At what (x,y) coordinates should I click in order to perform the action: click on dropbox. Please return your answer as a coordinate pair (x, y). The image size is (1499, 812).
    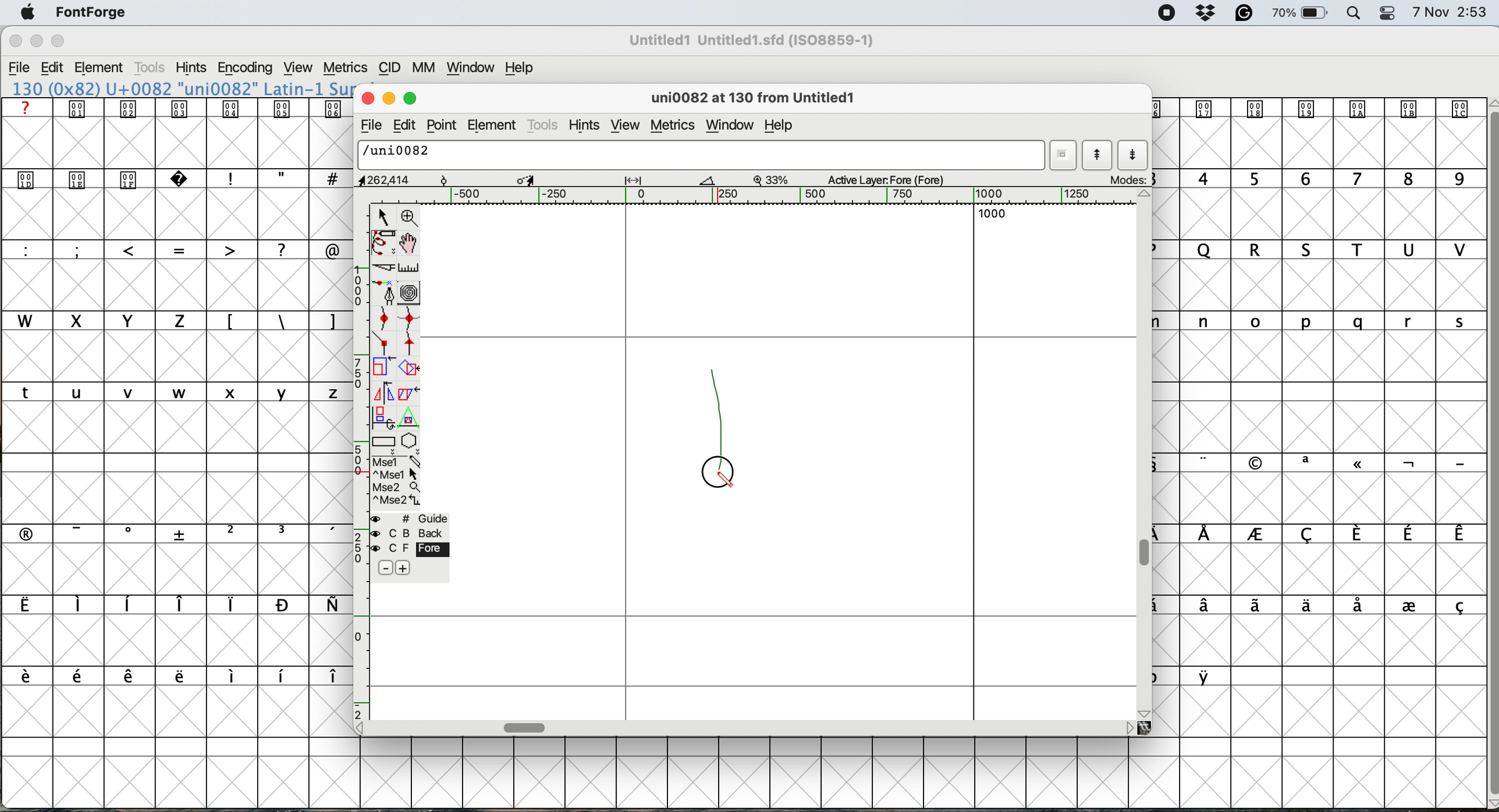
    Looking at the image, I should click on (1208, 13).